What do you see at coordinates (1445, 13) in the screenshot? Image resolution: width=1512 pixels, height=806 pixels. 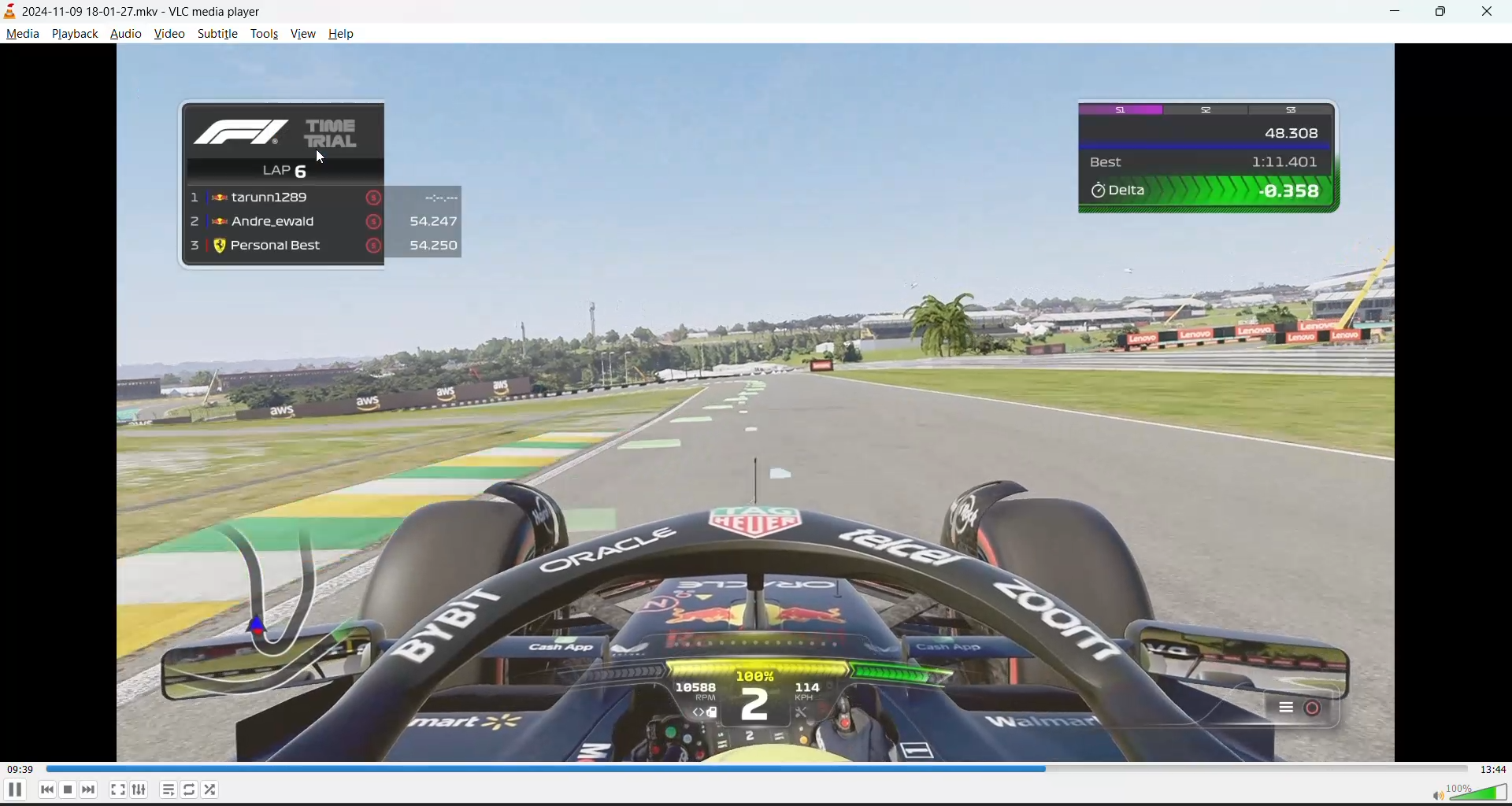 I see `maximize` at bounding box center [1445, 13].